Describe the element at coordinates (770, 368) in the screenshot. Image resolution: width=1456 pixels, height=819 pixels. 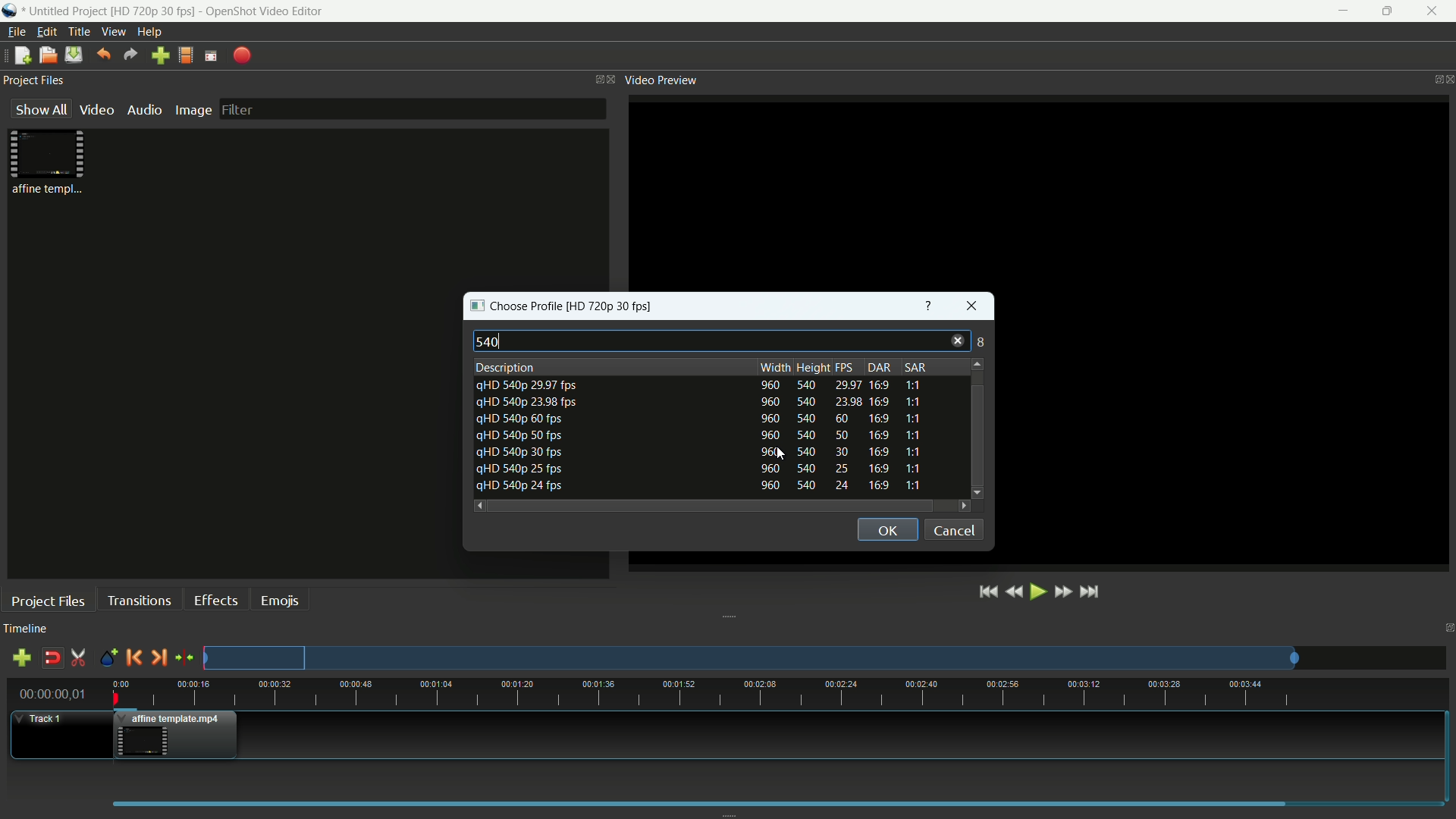
I see `width` at that location.